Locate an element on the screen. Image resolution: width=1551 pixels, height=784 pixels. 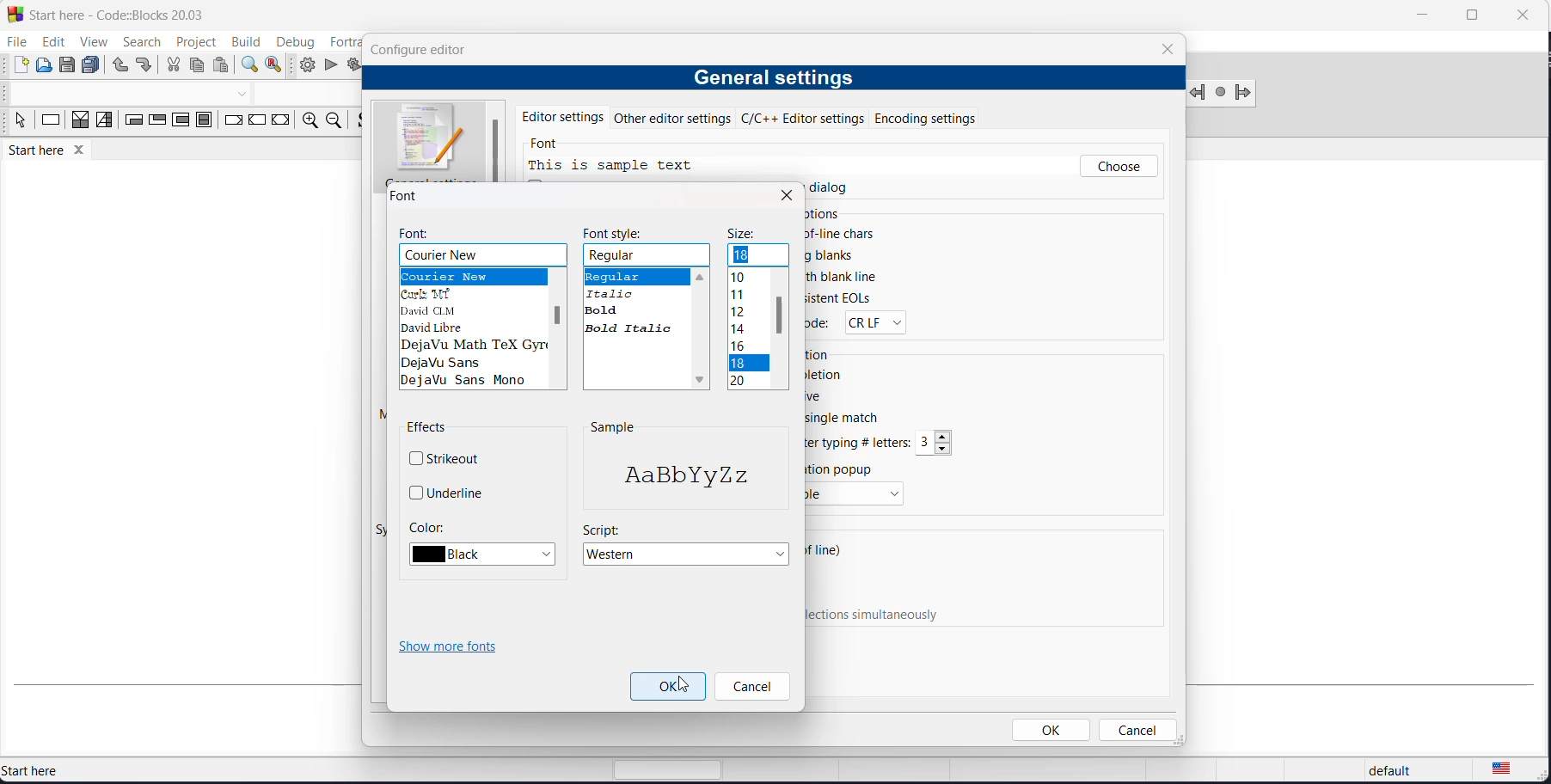
build is located at coordinates (244, 41).